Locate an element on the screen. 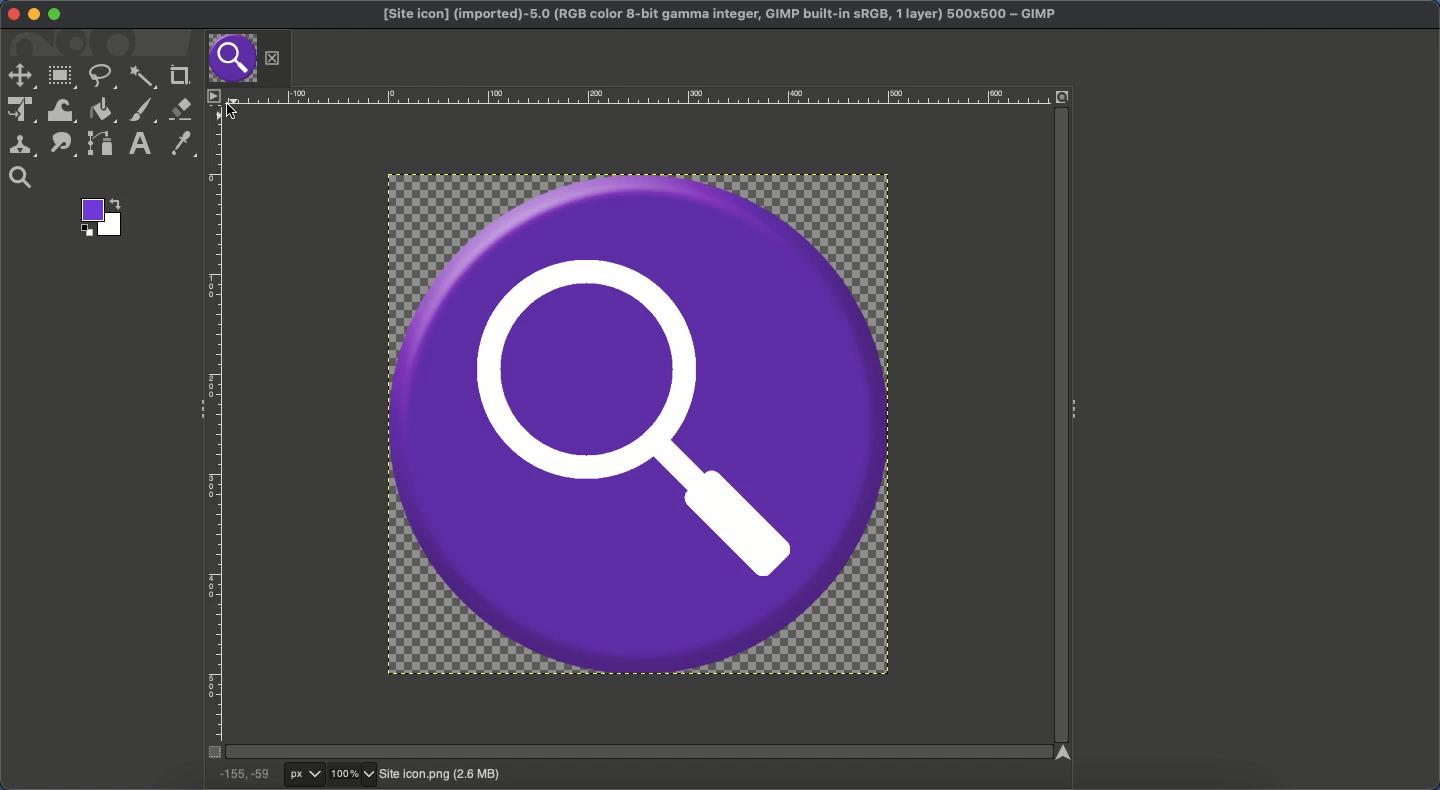  Minimize is located at coordinates (34, 15).